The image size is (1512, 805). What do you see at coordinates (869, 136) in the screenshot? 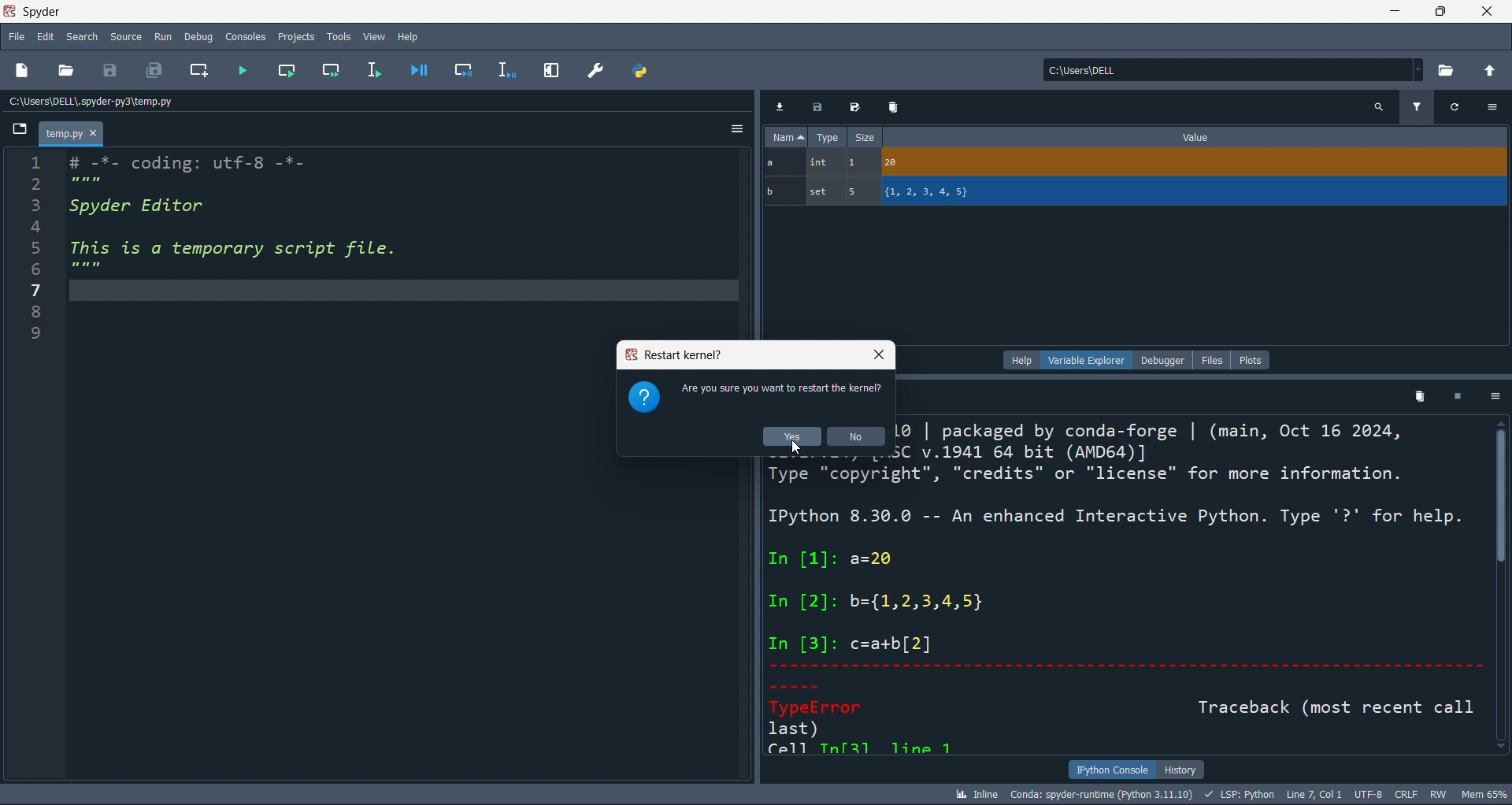
I see `size` at bounding box center [869, 136].